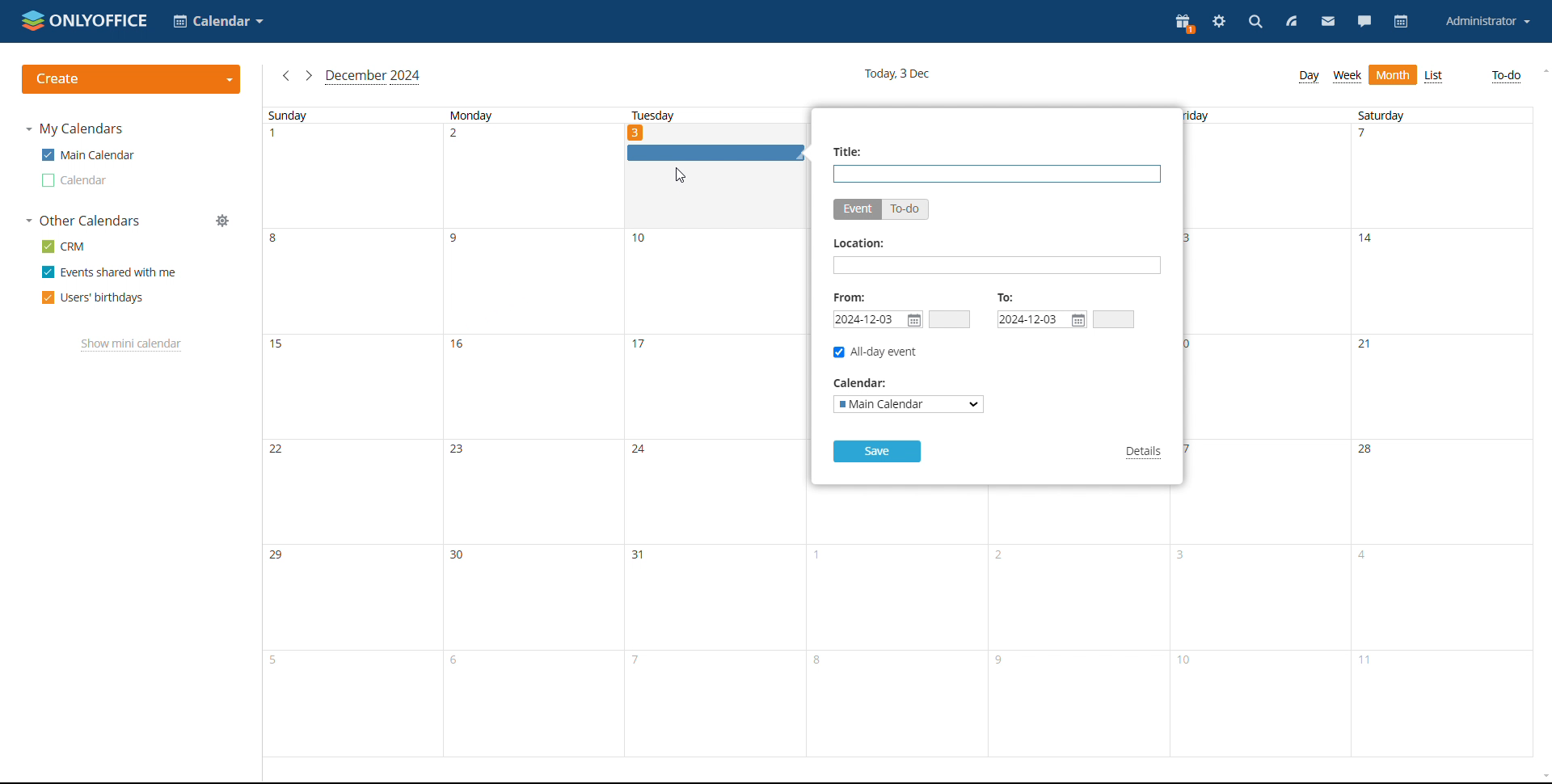  I want to click on current date, so click(896, 72).